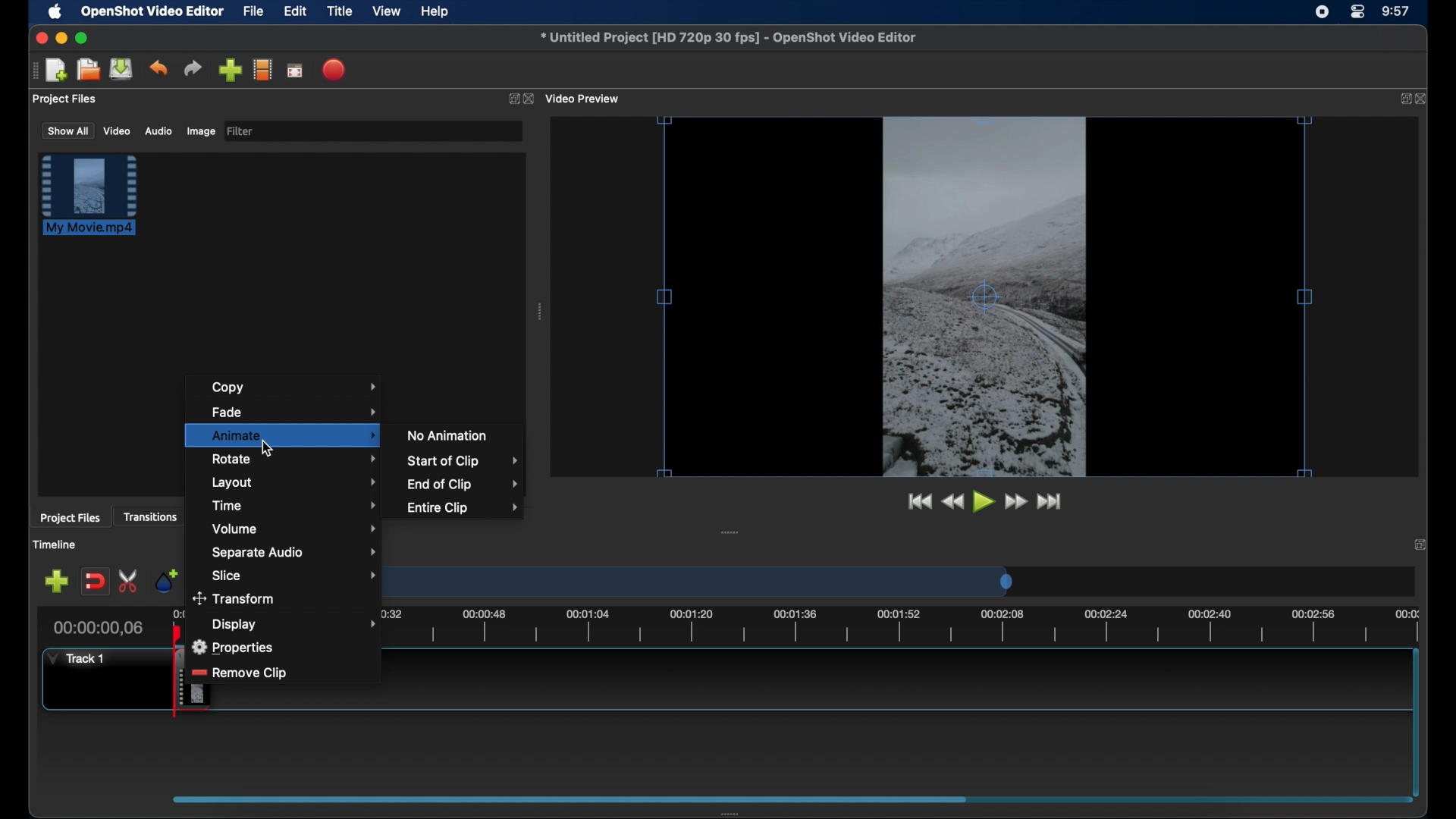 The height and width of the screenshot is (819, 1456). Describe the element at coordinates (82, 38) in the screenshot. I see `maximize` at that location.